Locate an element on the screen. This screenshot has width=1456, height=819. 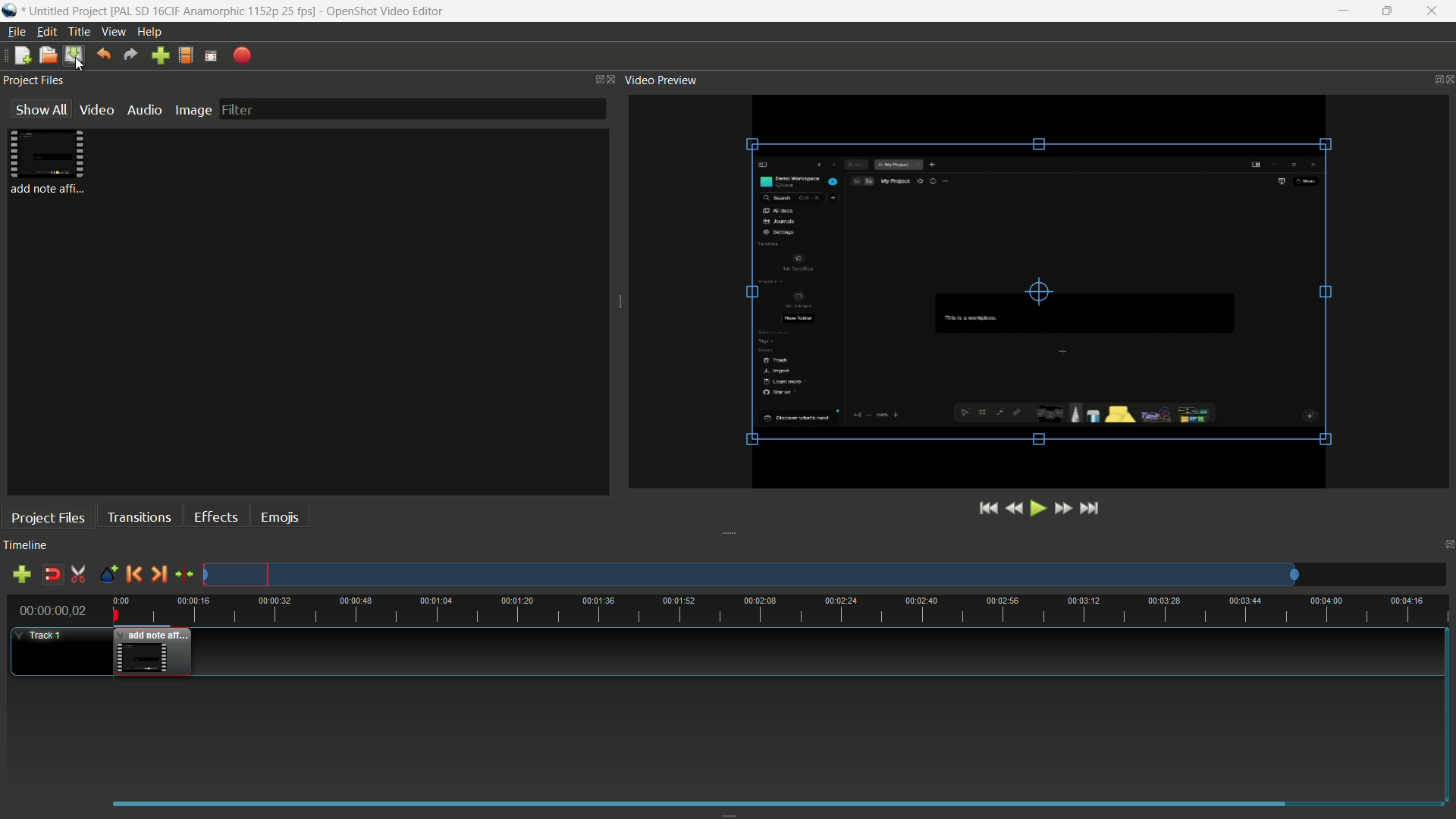
effects is located at coordinates (215, 517).